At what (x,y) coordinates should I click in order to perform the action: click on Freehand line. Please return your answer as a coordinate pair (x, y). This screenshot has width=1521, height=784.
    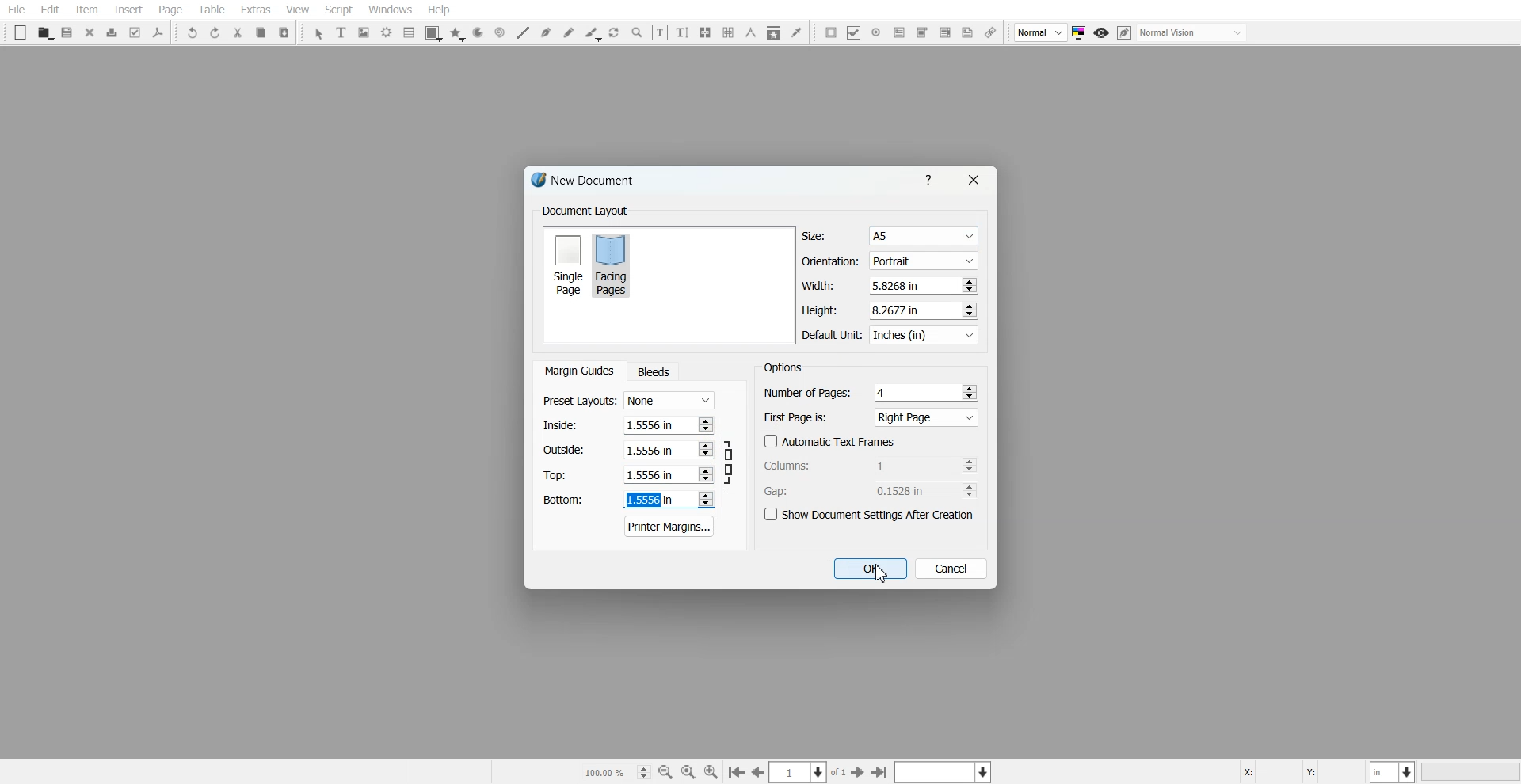
    Looking at the image, I should click on (569, 32).